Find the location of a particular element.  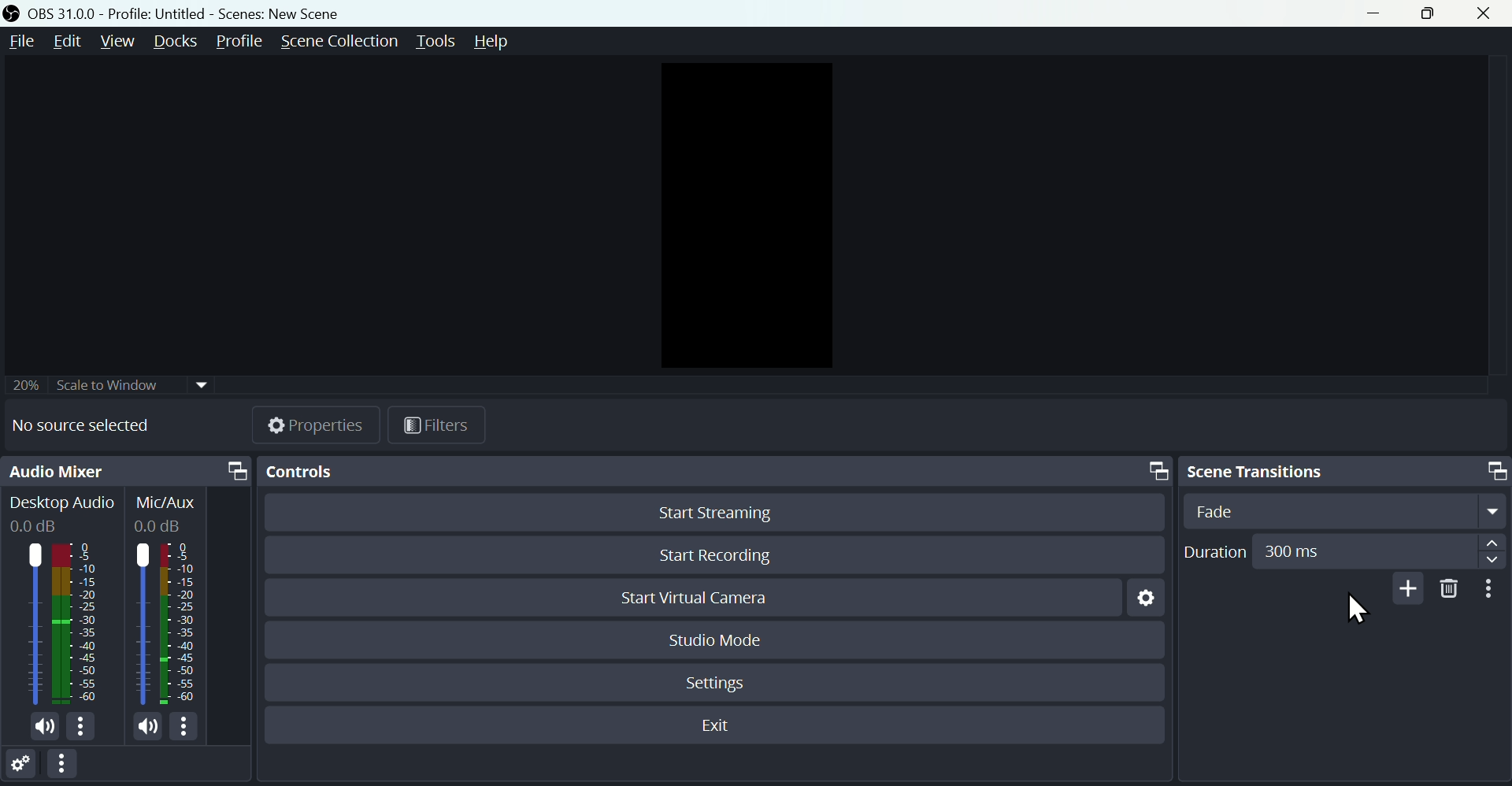

start virtual camera is located at coordinates (708, 597).